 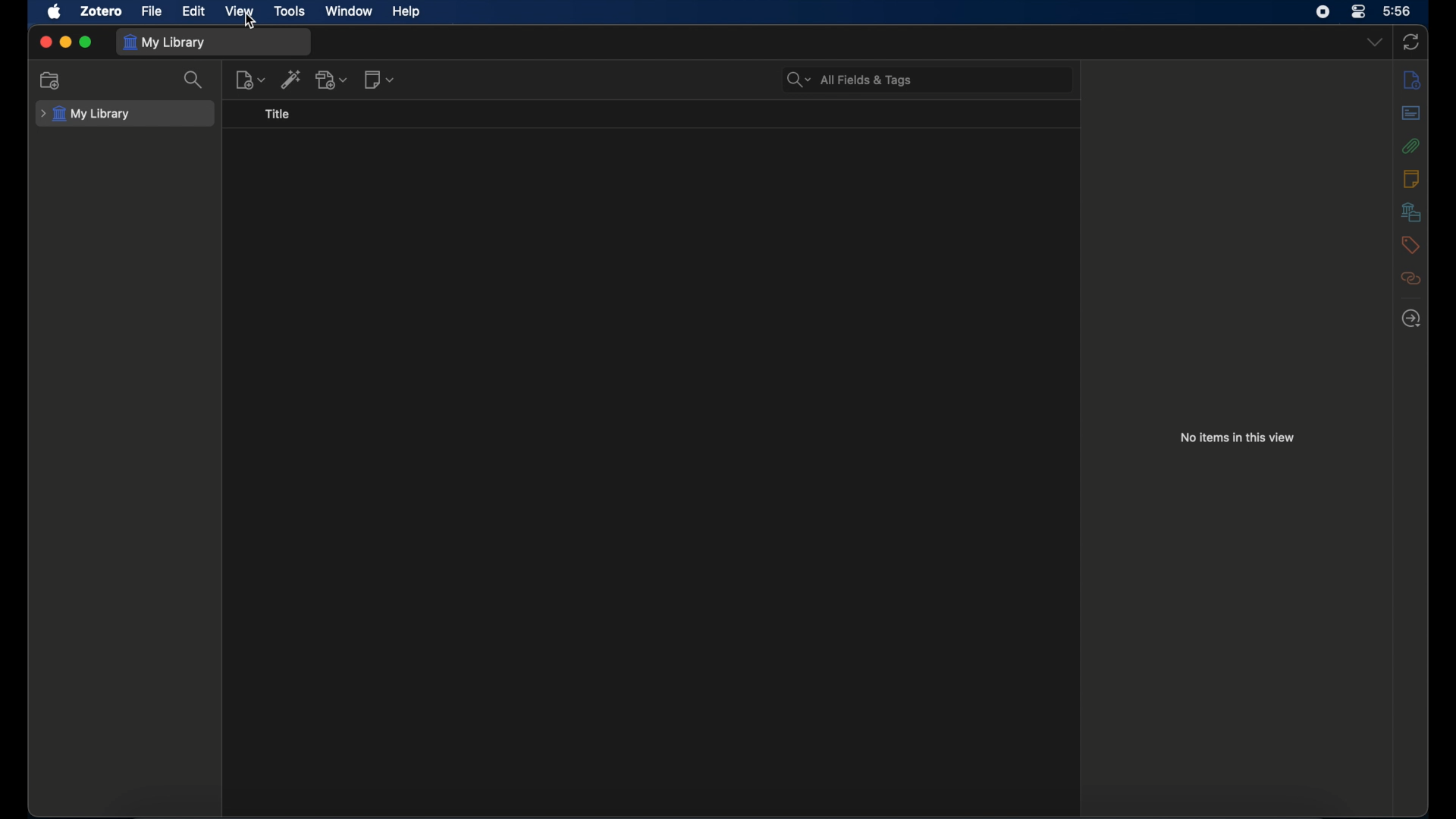 What do you see at coordinates (849, 79) in the screenshot?
I see `search bar` at bounding box center [849, 79].